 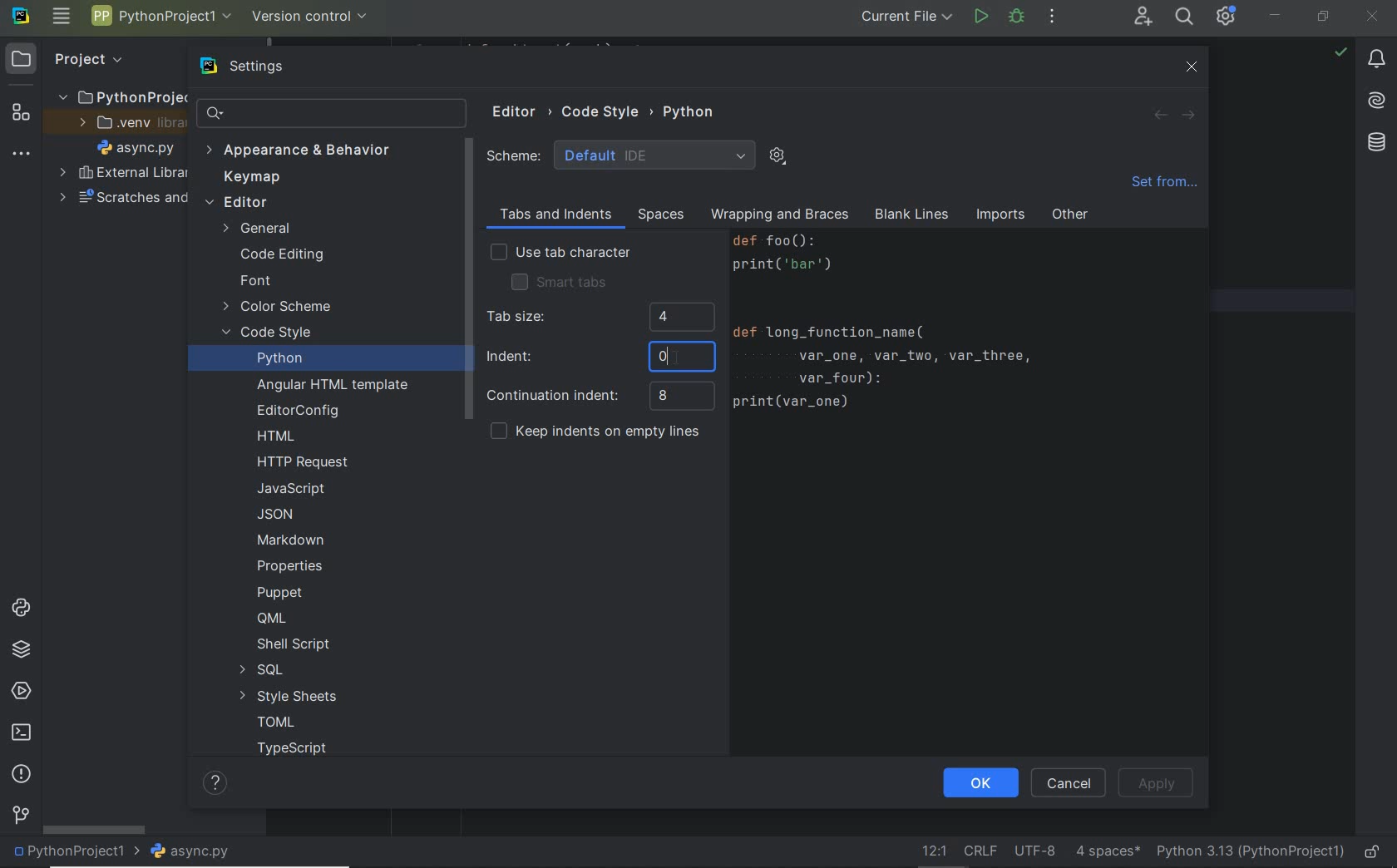 I want to click on Editoronfig, so click(x=294, y=411).